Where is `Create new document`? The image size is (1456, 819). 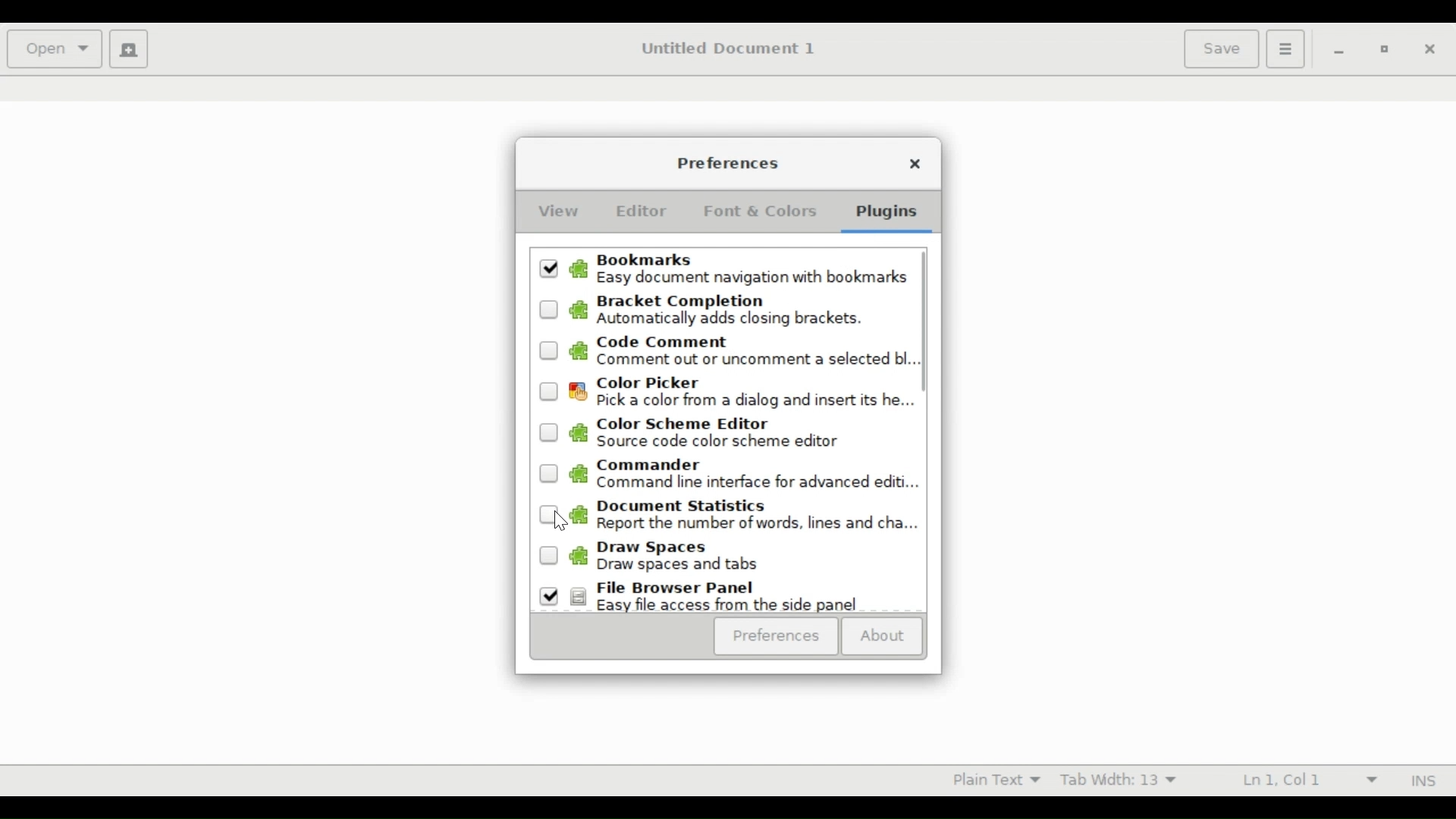
Create new document is located at coordinates (130, 49).